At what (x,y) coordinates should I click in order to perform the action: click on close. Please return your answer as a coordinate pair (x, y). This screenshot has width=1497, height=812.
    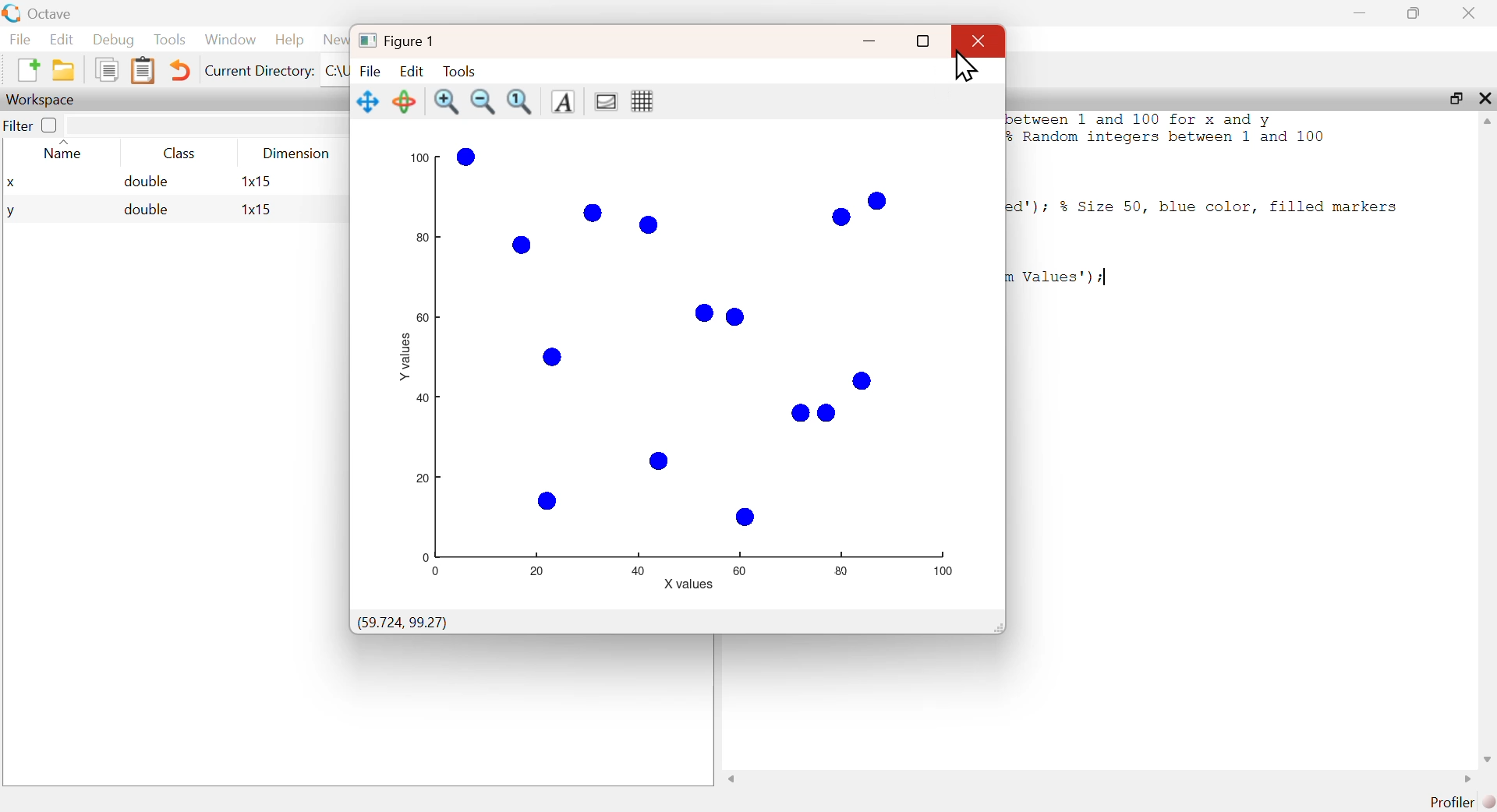
    Looking at the image, I should click on (1471, 13).